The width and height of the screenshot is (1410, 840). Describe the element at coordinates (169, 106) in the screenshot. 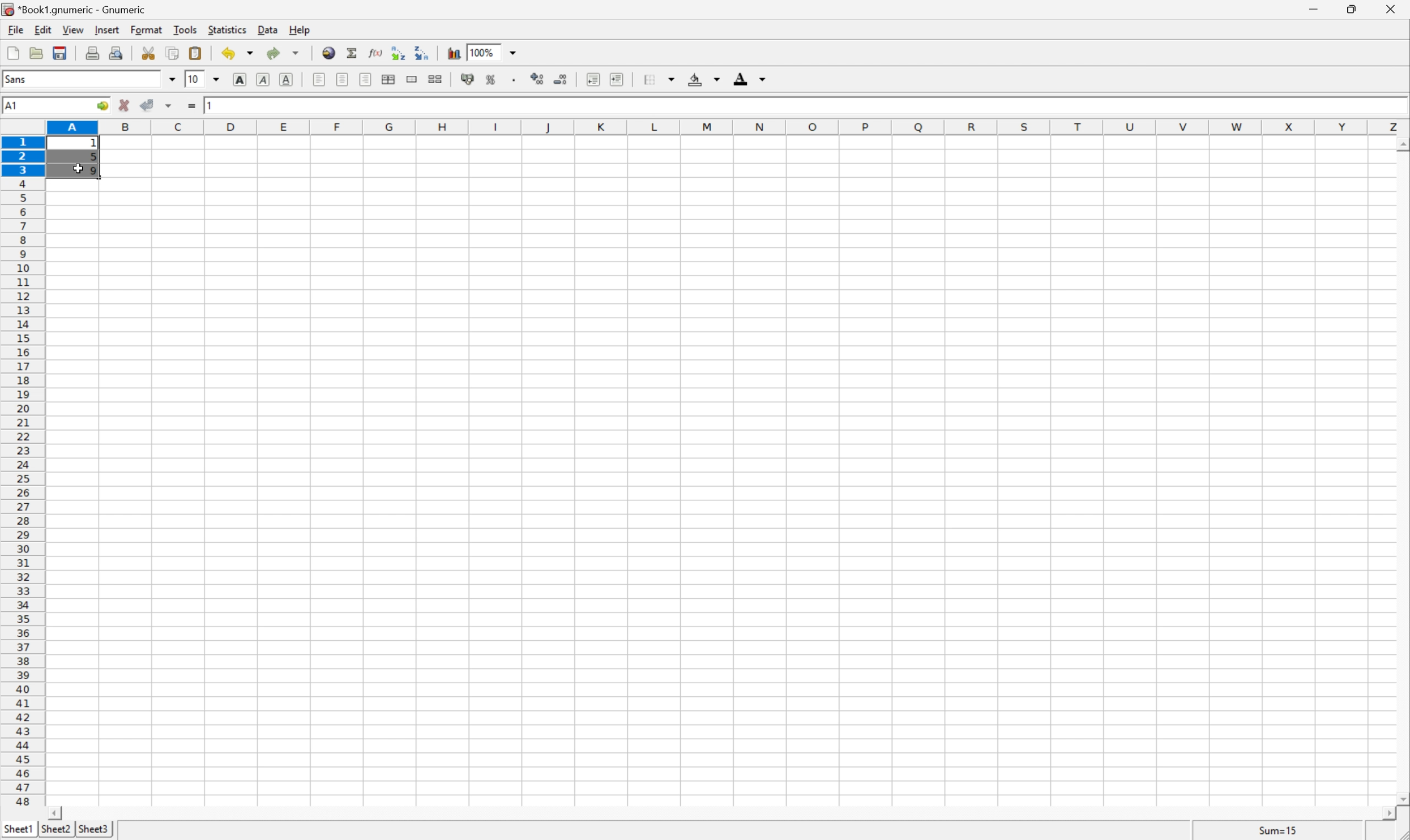

I see `accept changes across all selections` at that location.